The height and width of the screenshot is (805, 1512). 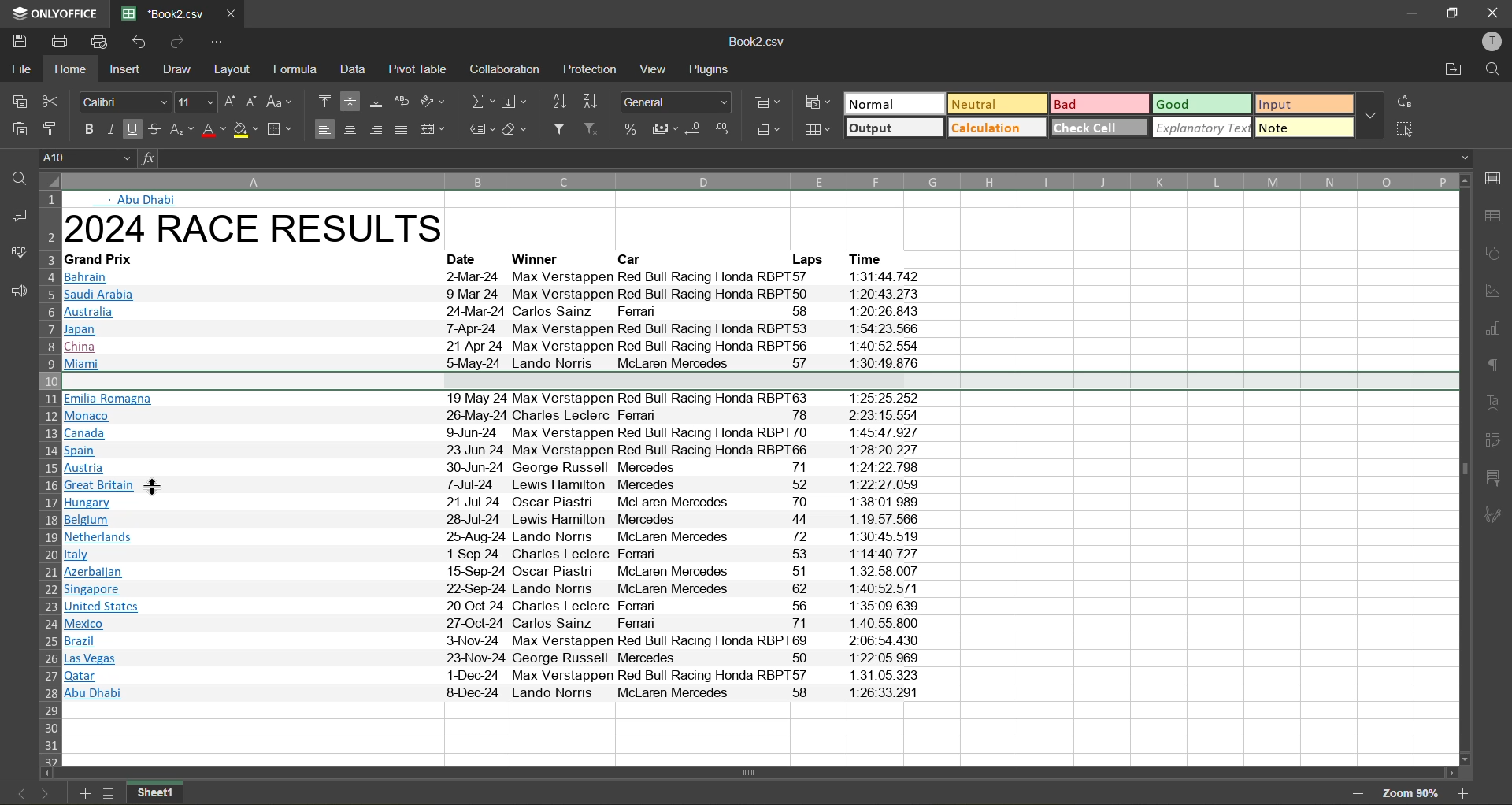 I want to click on Canada 9-Jun-24 Max Verstappen Red Bull Racing Honda RBPT70 1:45:47 927, so click(x=491, y=433).